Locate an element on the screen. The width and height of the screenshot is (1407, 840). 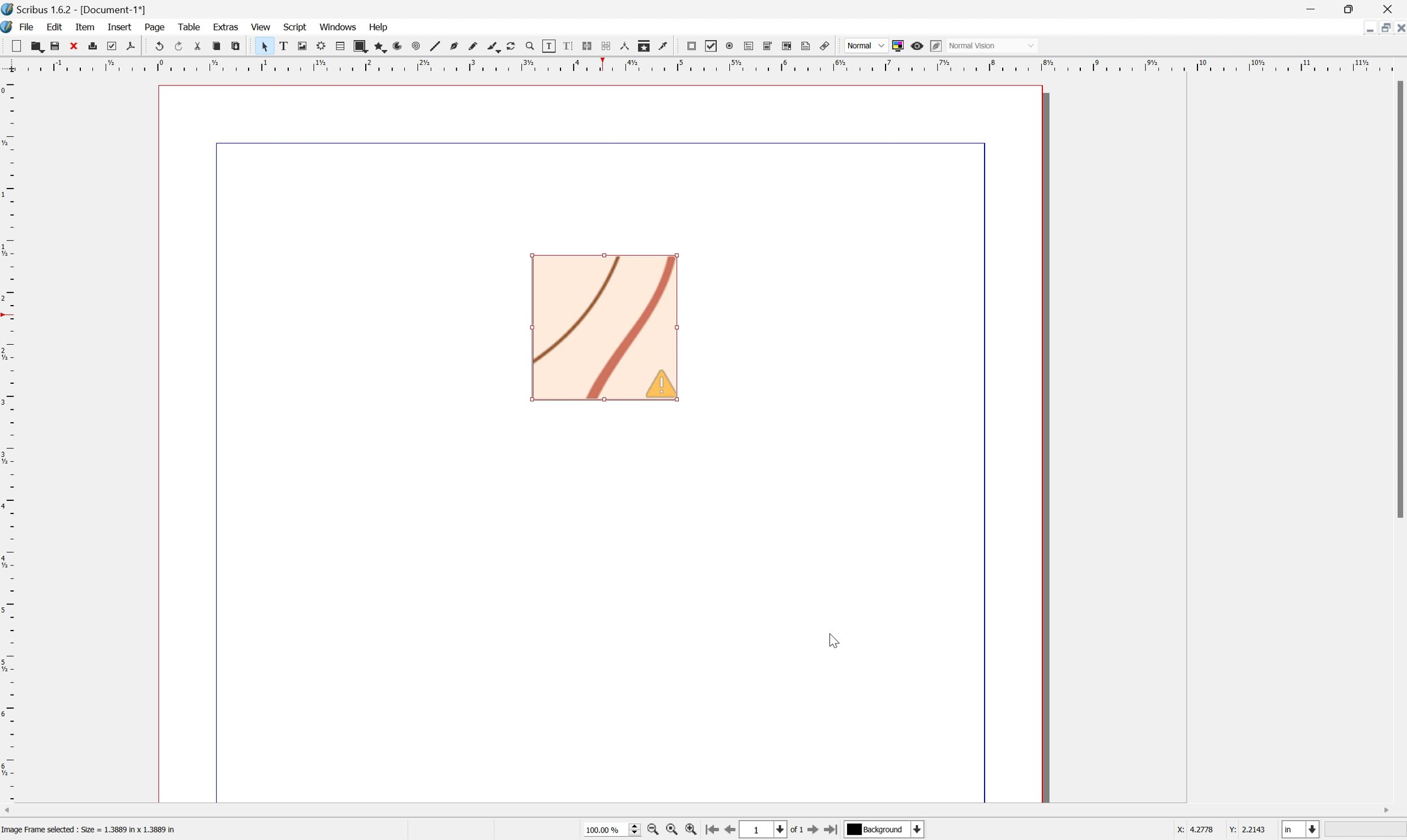
Minimize is located at coordinates (1386, 29).